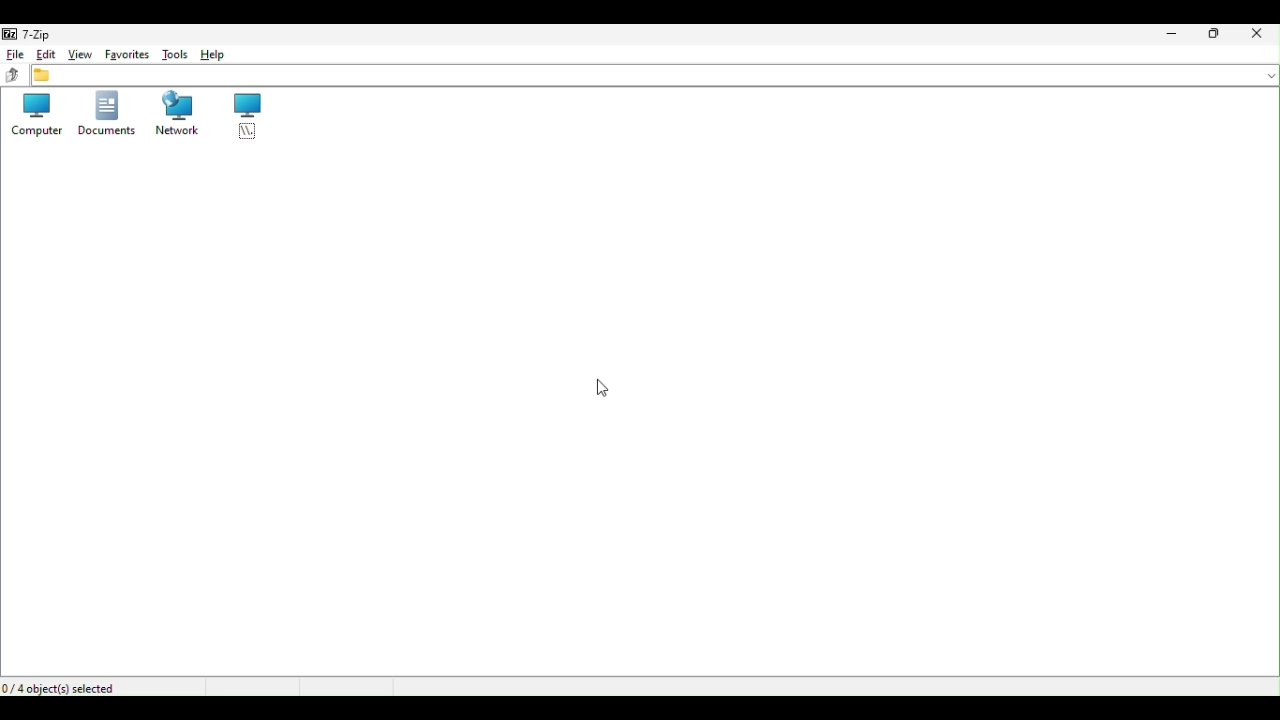 This screenshot has height=720, width=1280. I want to click on Network, so click(175, 114).